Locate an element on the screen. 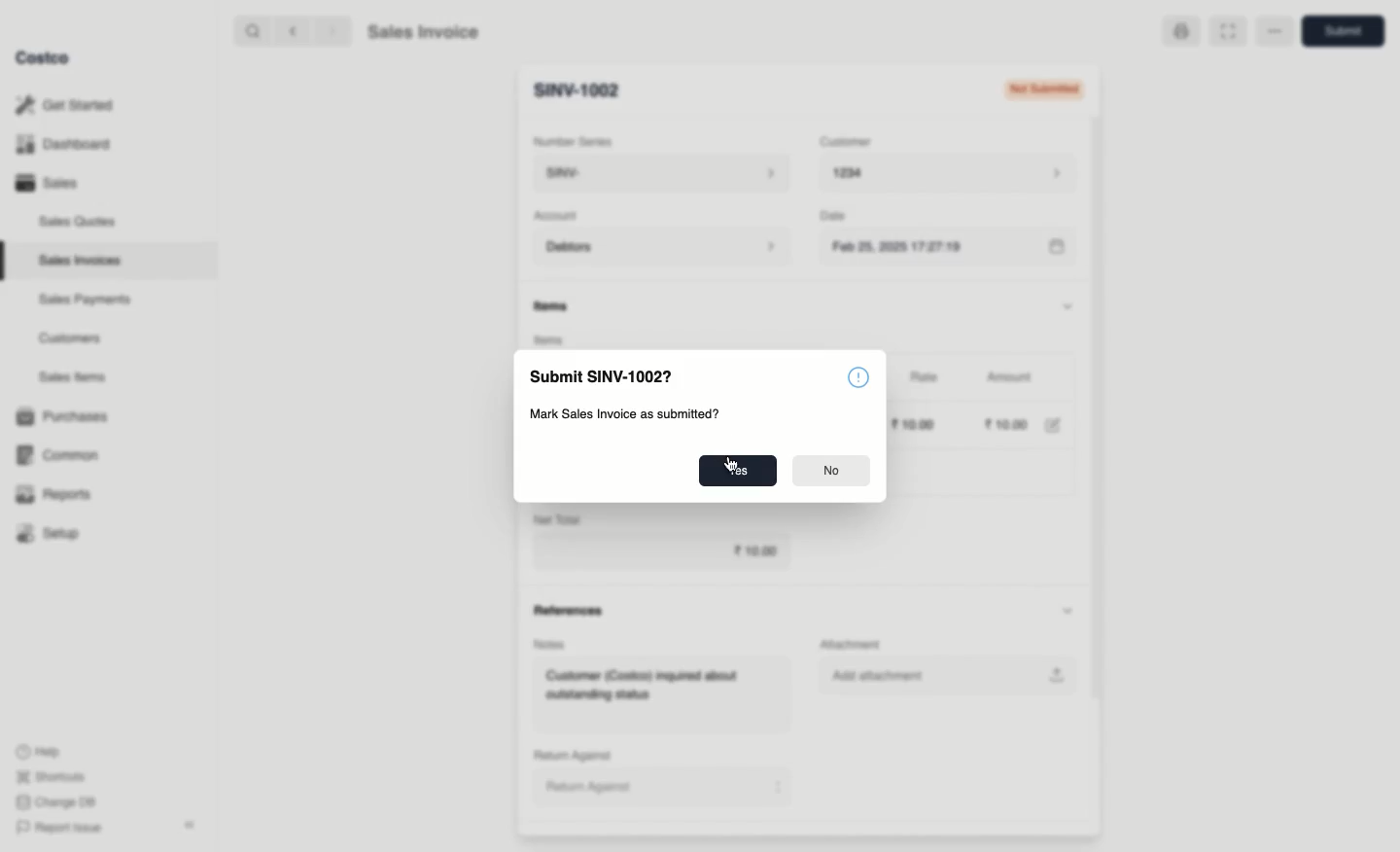 This screenshot has width=1400, height=852. Sales Payments is located at coordinates (81, 301).